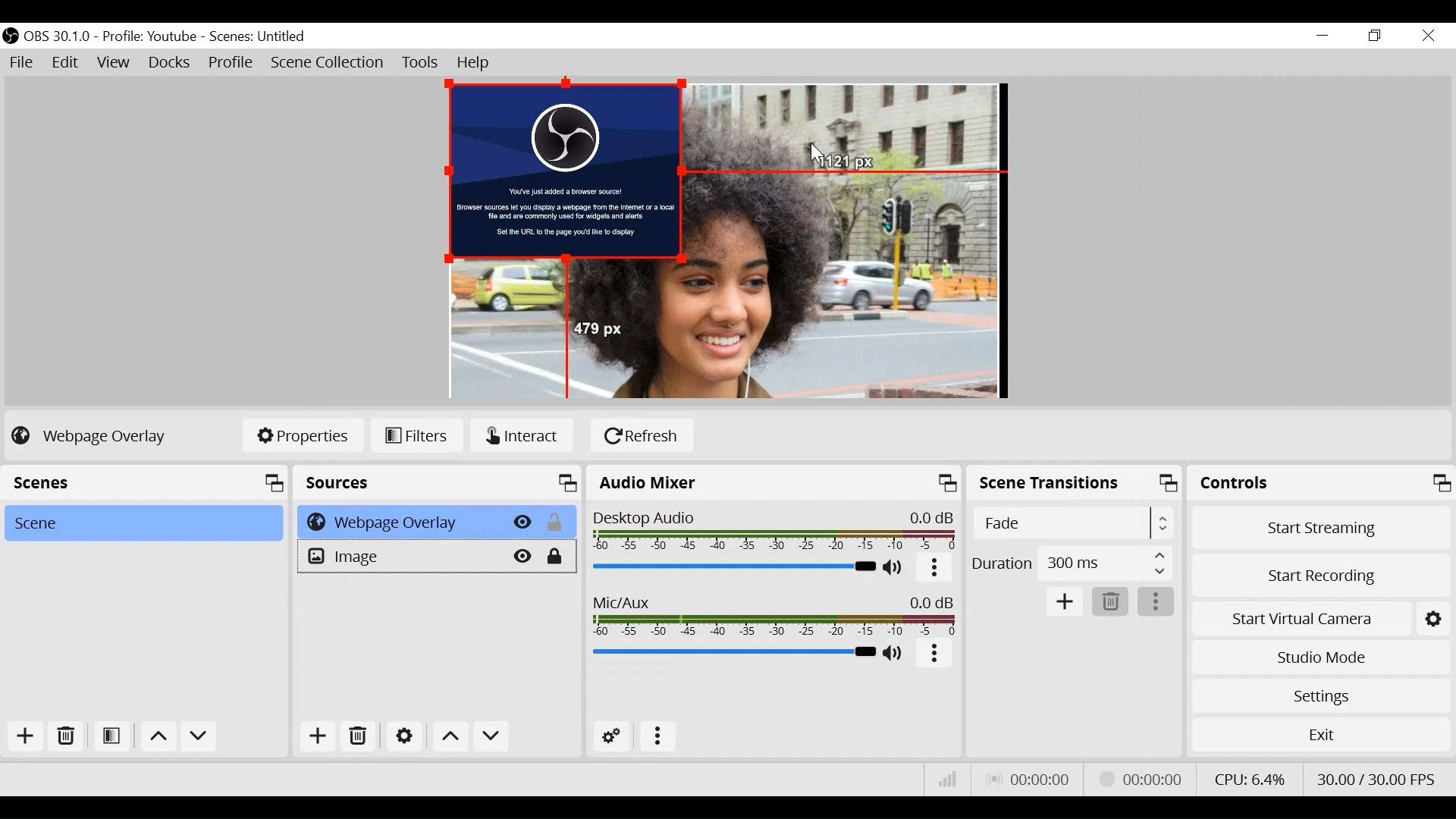  What do you see at coordinates (898, 653) in the screenshot?
I see `(un)mute` at bounding box center [898, 653].